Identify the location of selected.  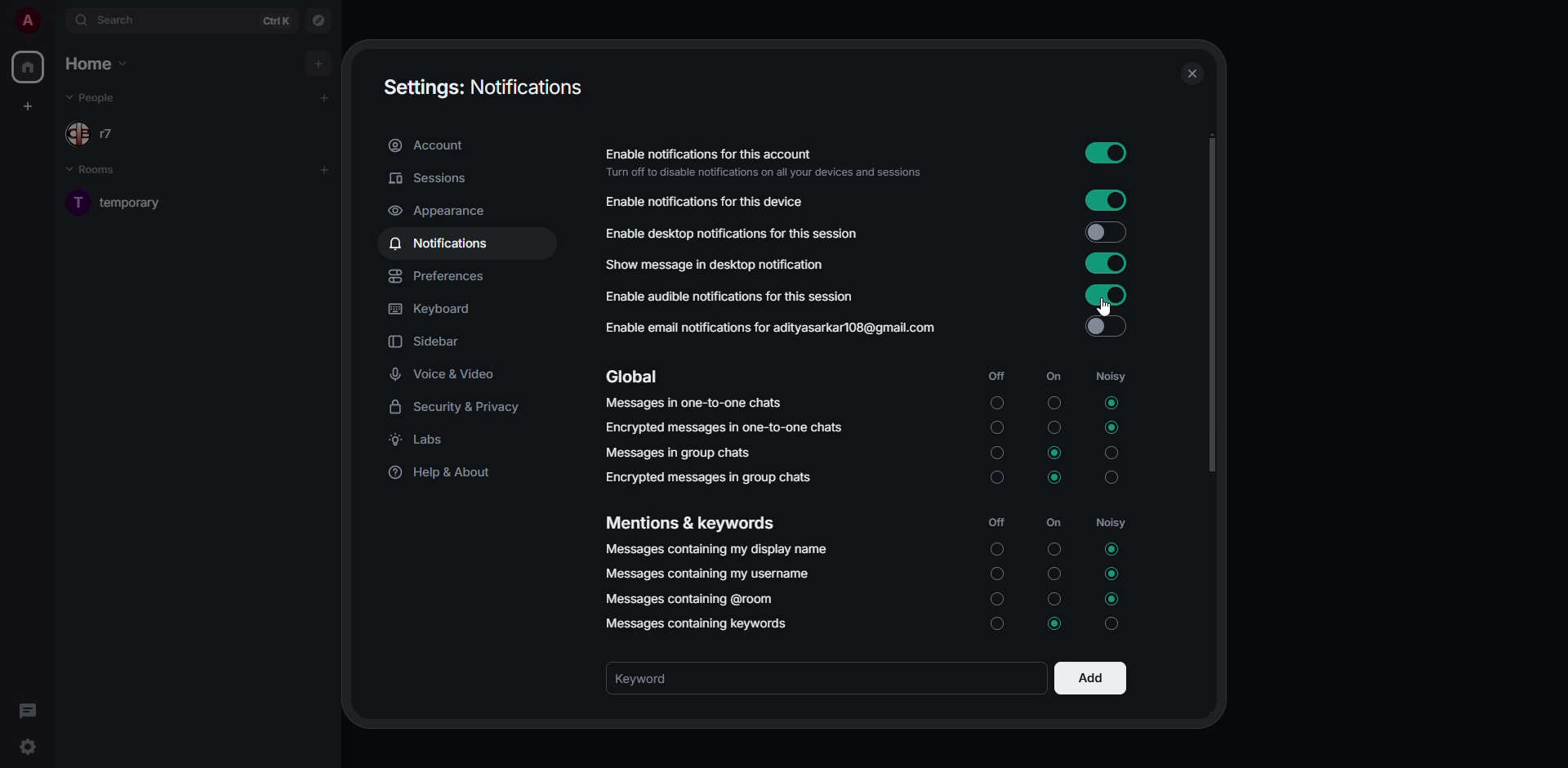
(1111, 404).